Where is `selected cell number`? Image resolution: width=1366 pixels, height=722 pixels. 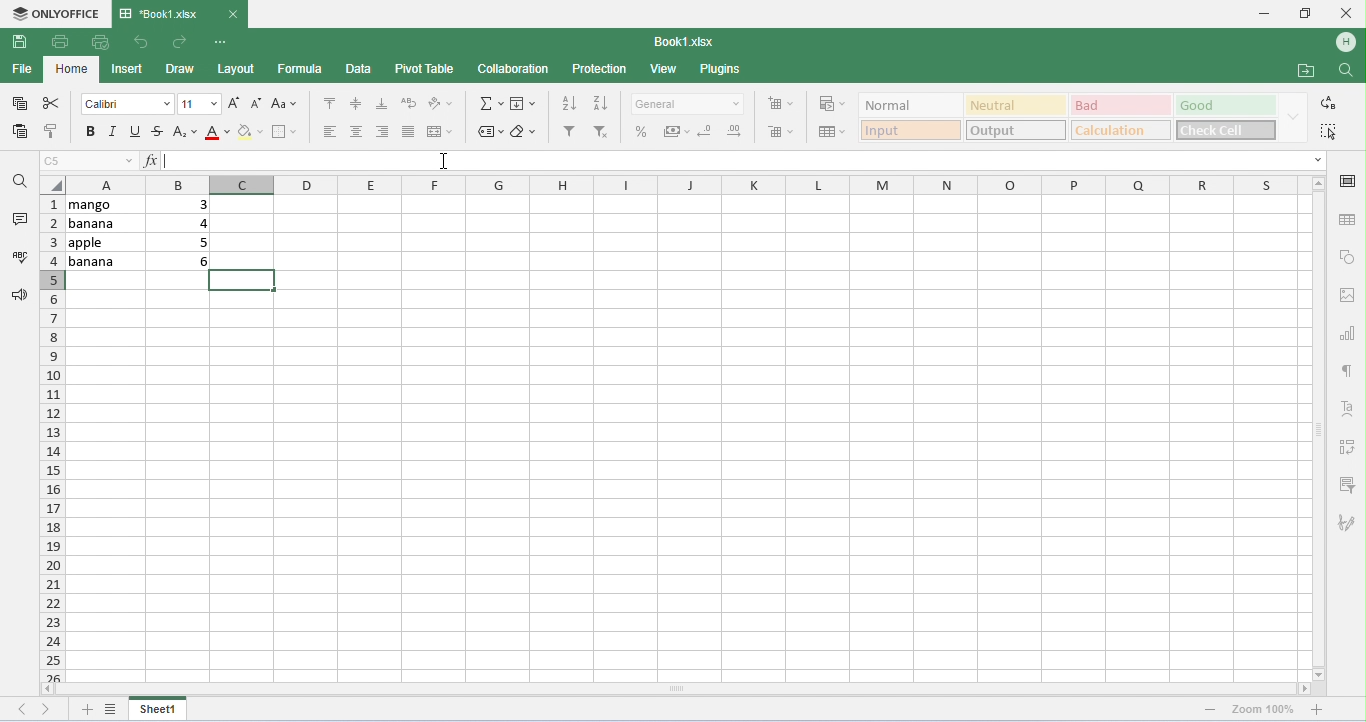
selected cell number is located at coordinates (90, 160).